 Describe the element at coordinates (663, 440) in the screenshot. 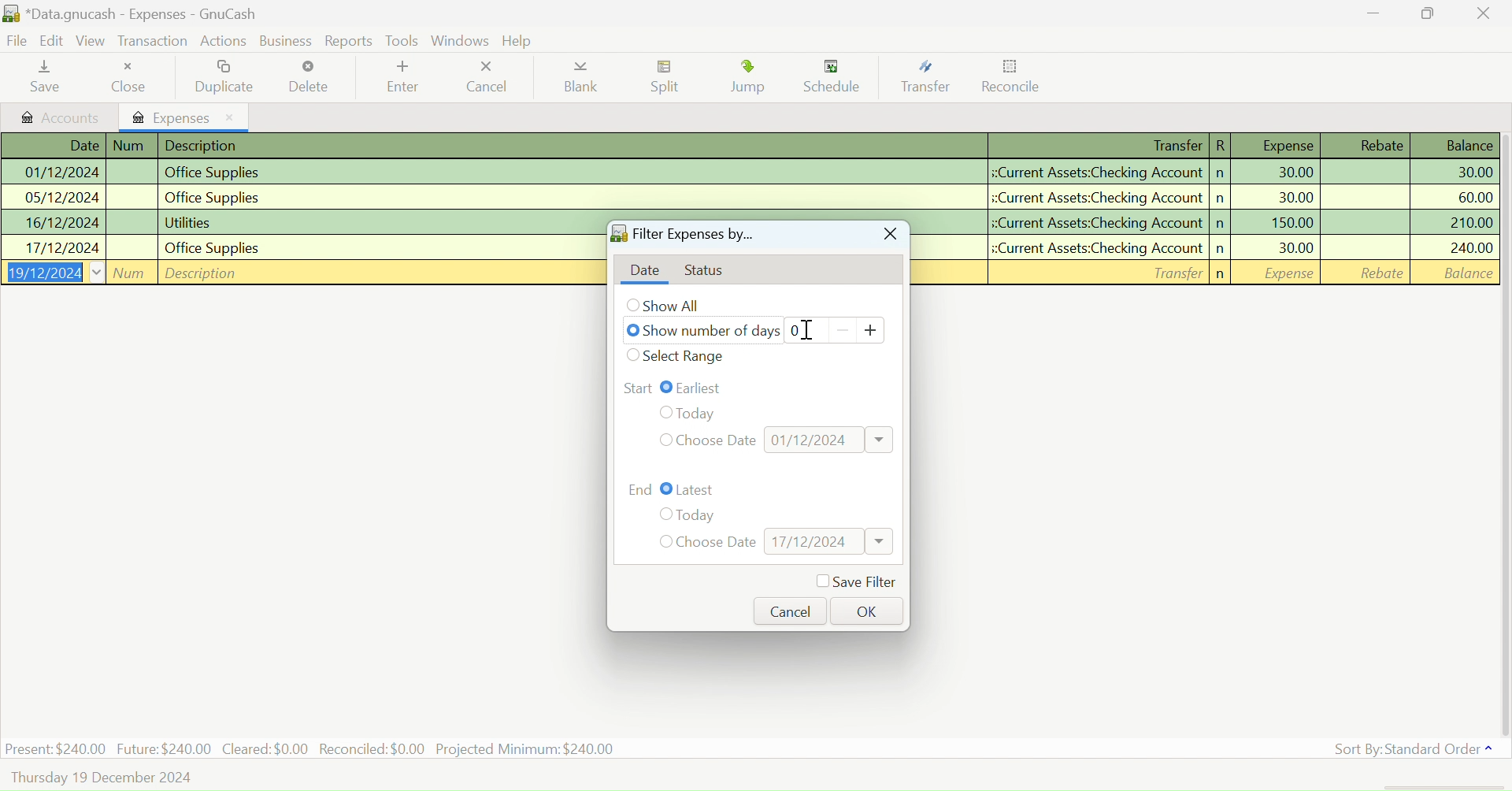

I see `Checkbox` at that location.